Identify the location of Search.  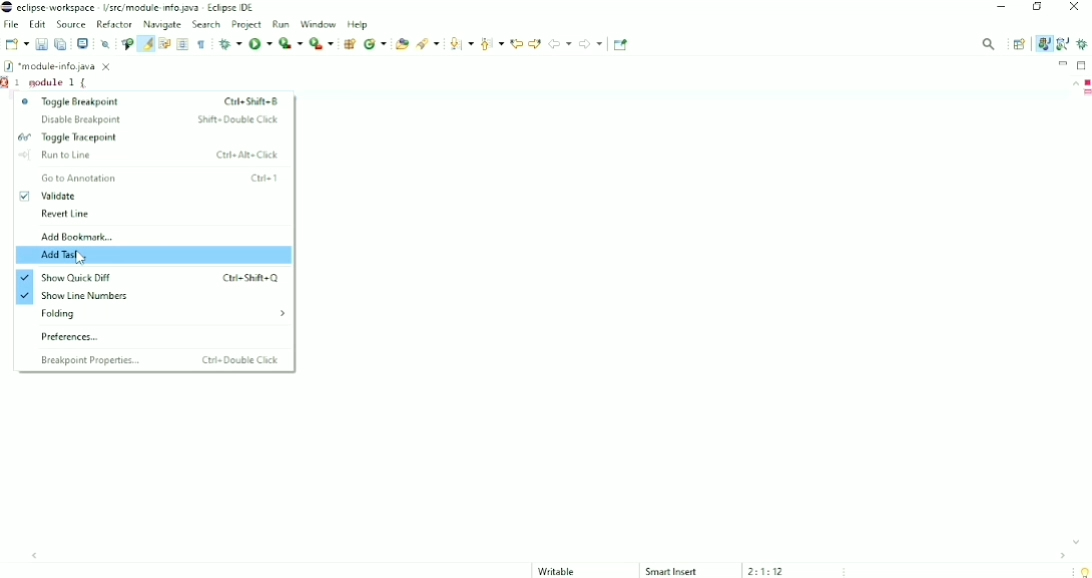
(428, 44).